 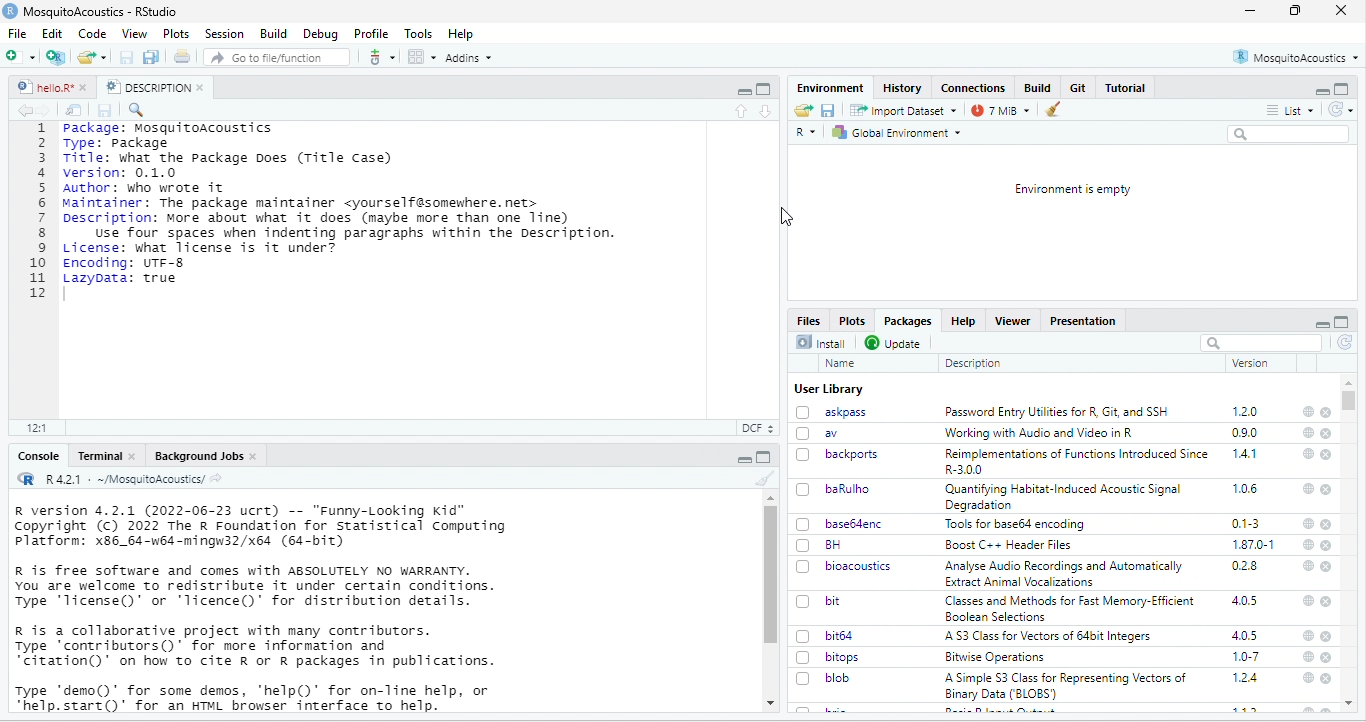 What do you see at coordinates (1010, 545) in the screenshot?
I see `Boost C++ Header Files` at bounding box center [1010, 545].